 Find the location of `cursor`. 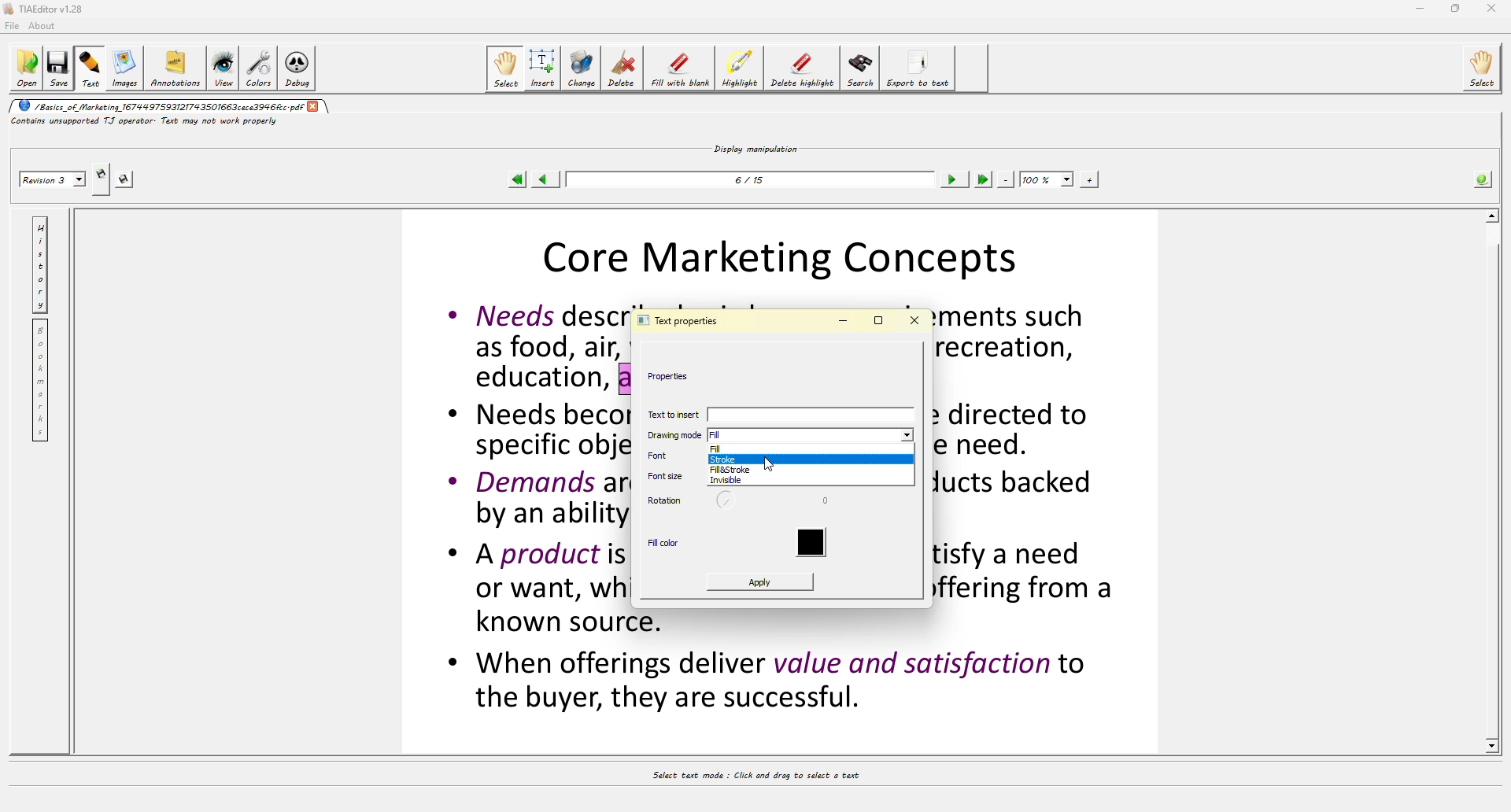

cursor is located at coordinates (767, 464).